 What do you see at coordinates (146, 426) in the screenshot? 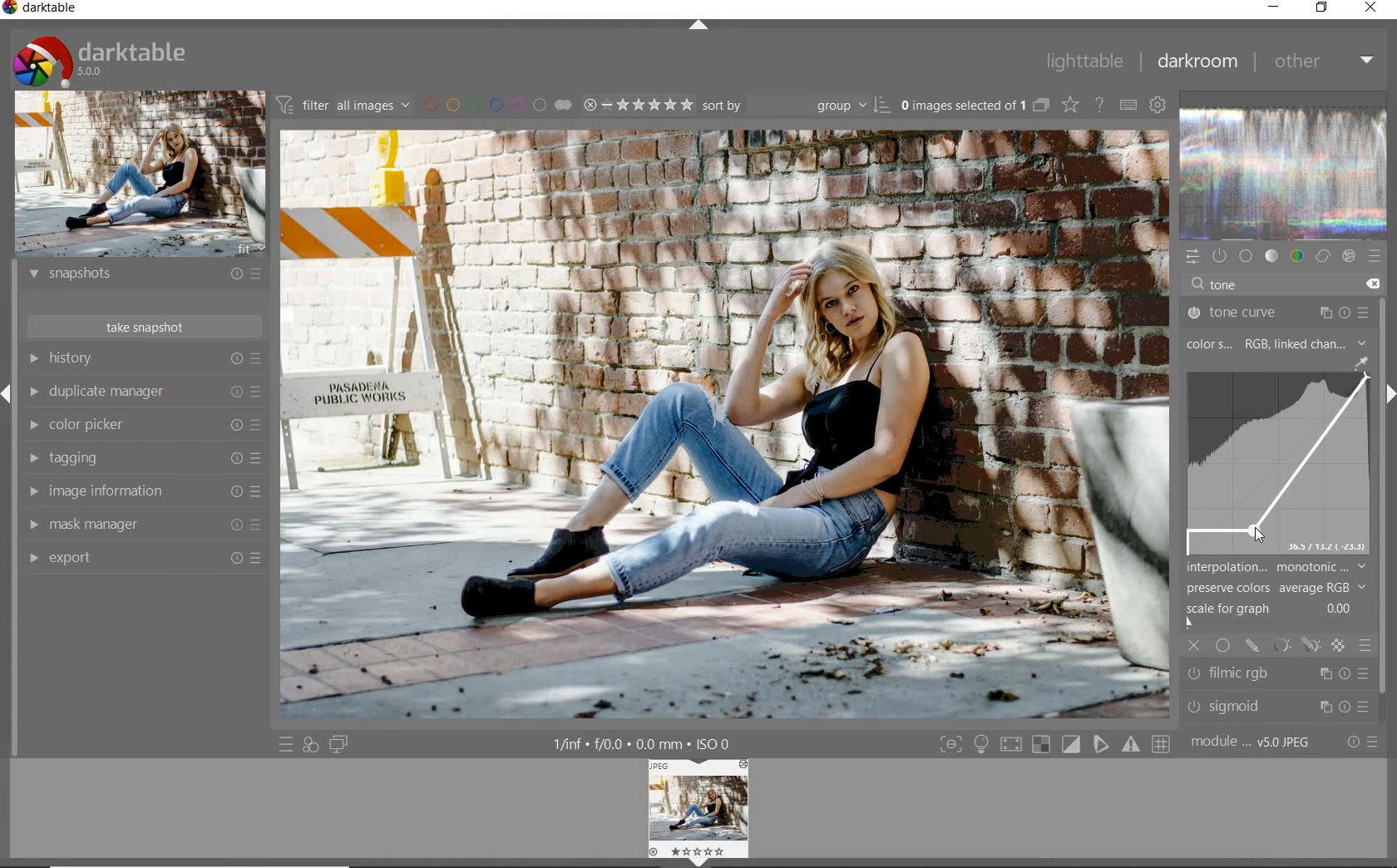
I see `color picker` at bounding box center [146, 426].